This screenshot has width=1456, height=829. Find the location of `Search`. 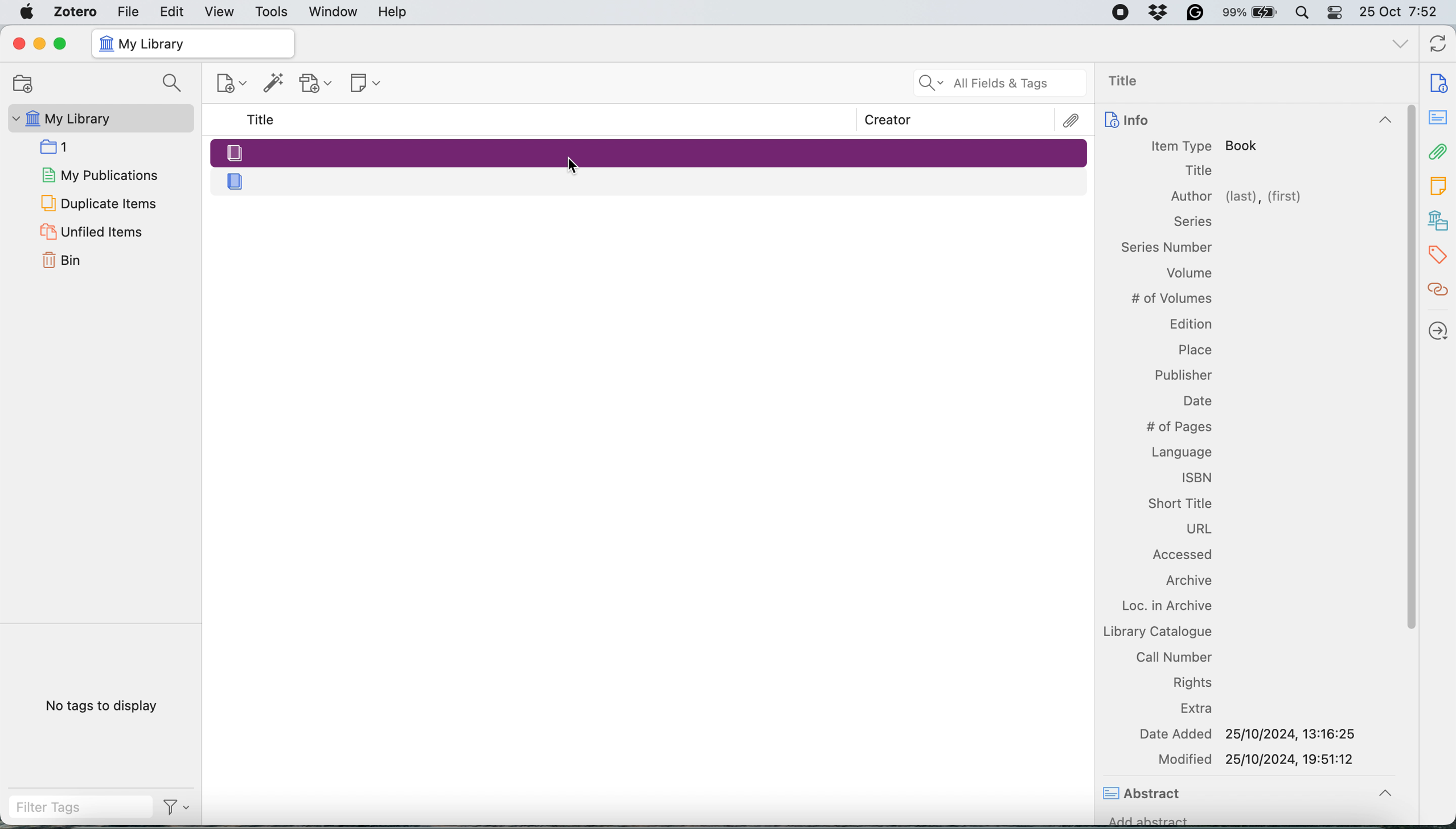

Search is located at coordinates (175, 84).